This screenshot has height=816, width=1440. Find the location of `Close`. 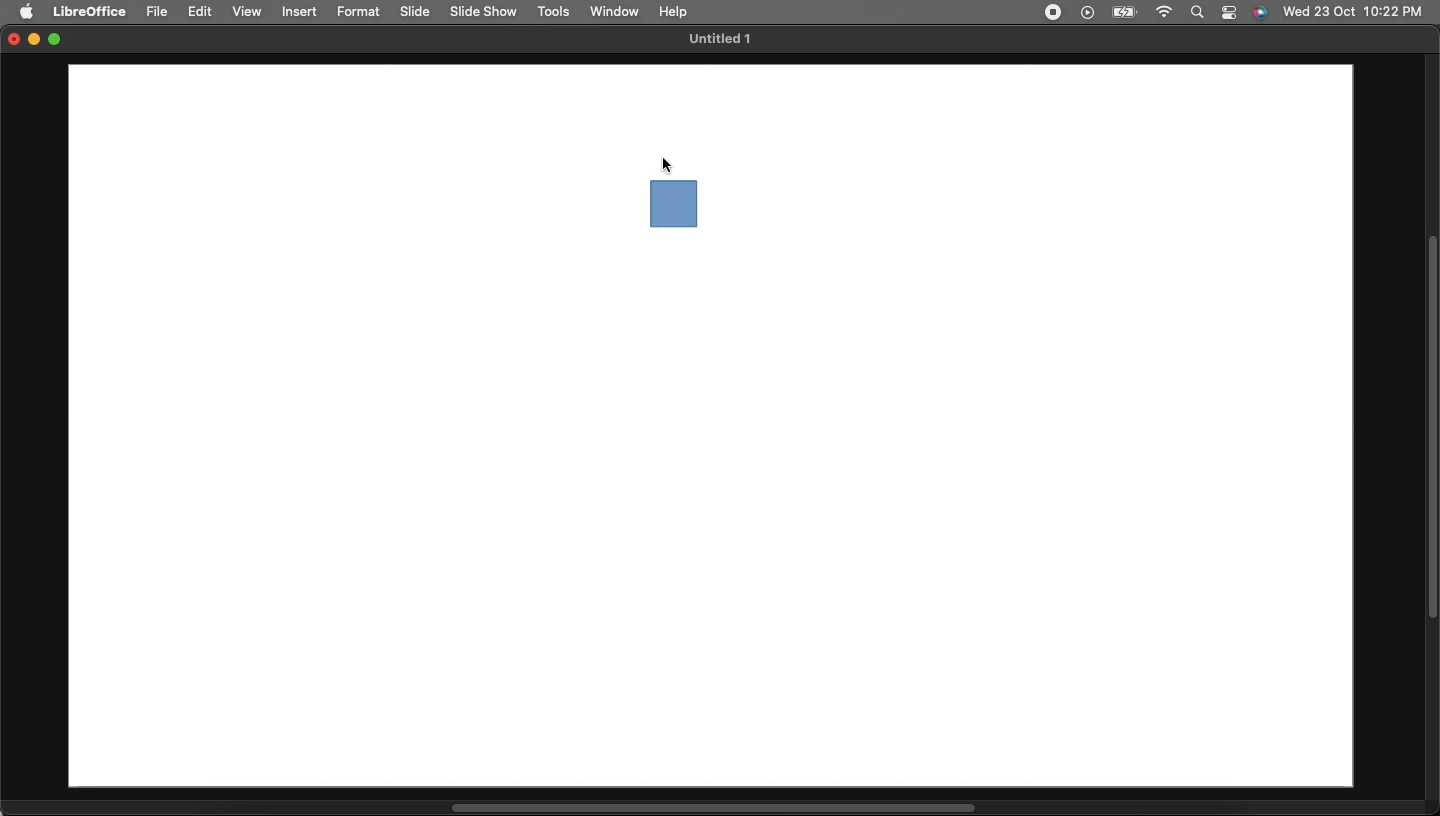

Close is located at coordinates (10, 41).